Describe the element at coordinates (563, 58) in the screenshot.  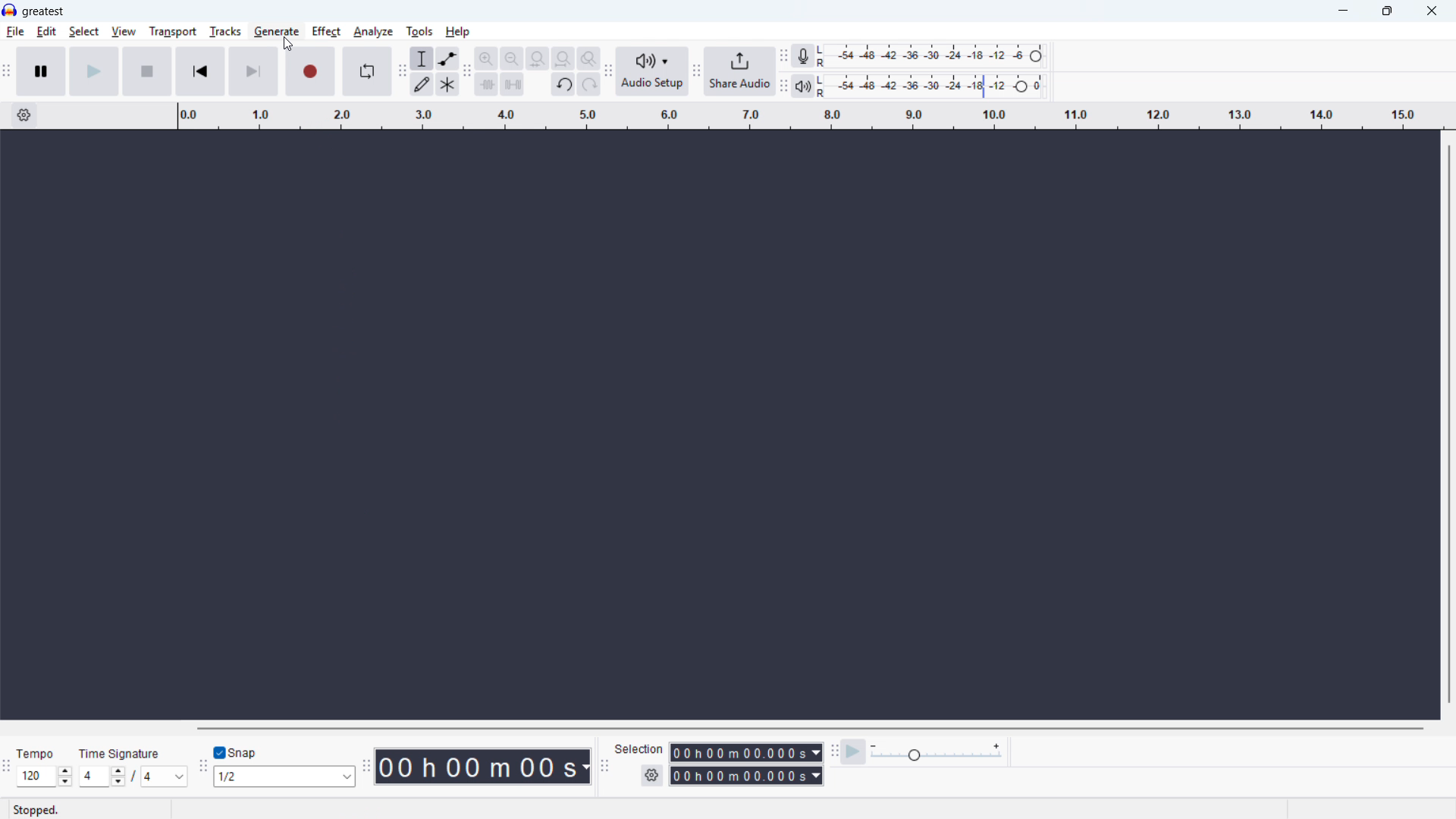
I see `fit project to width` at that location.